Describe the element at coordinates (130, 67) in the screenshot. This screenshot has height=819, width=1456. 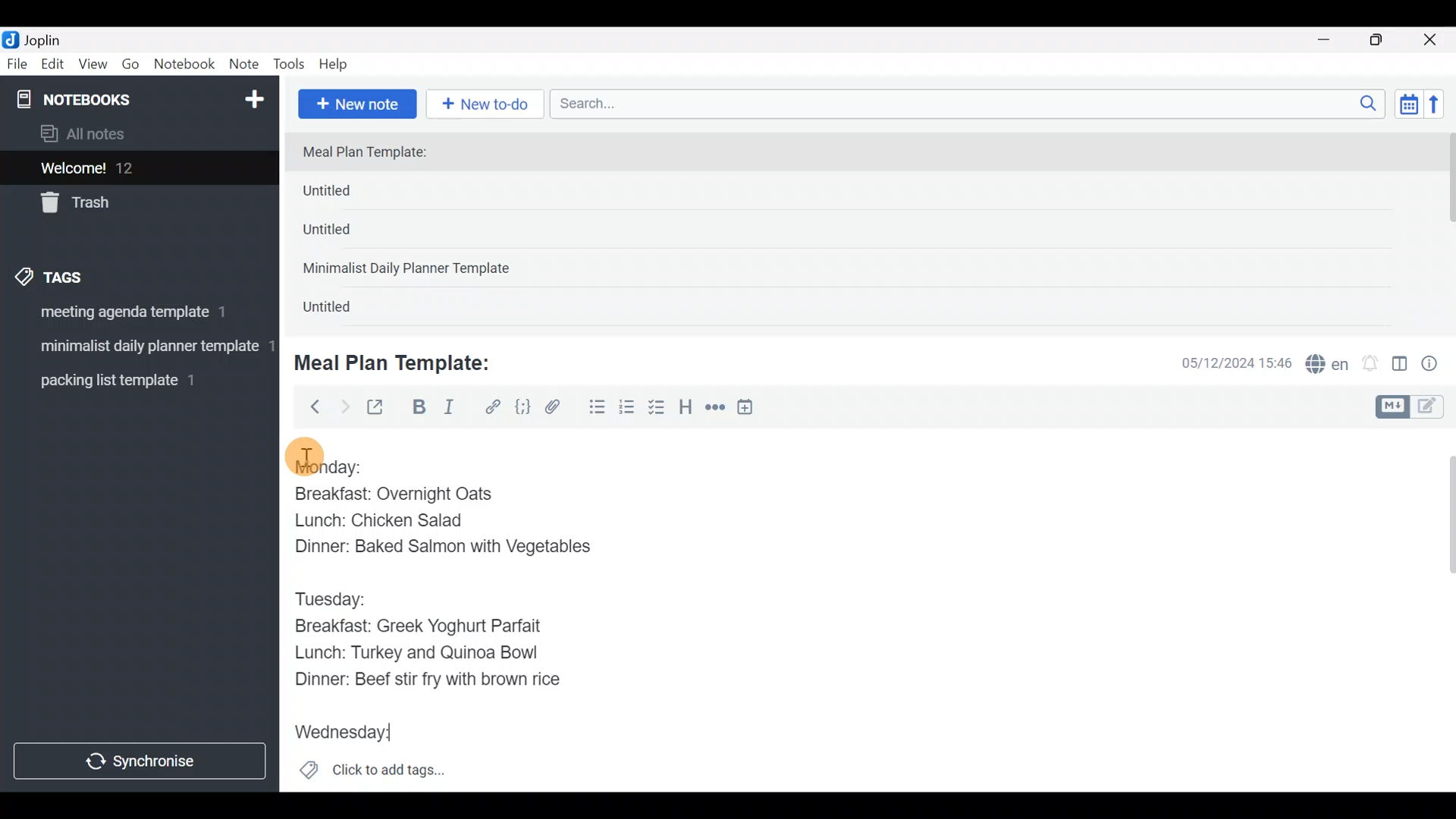
I see `Go` at that location.